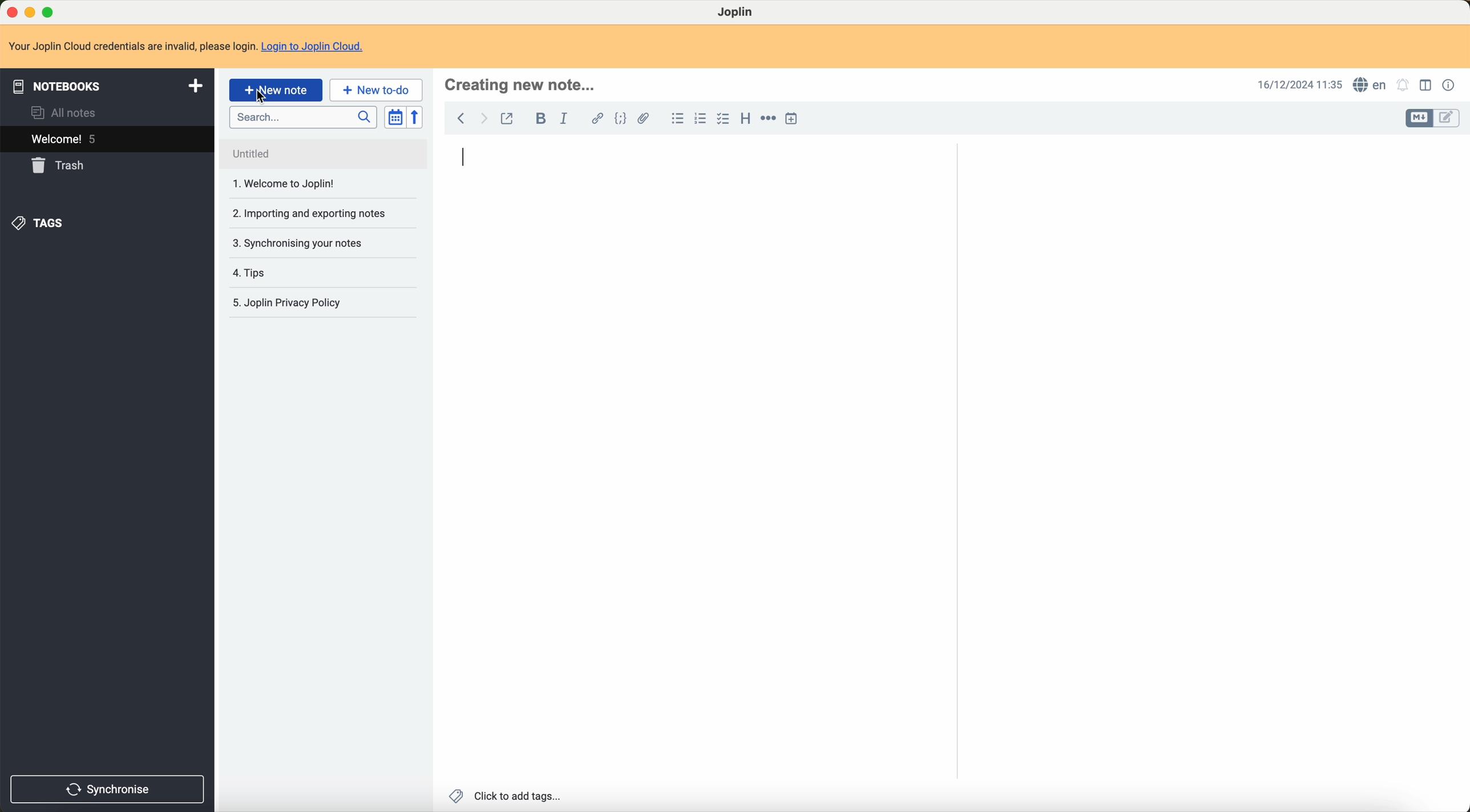  Describe the element at coordinates (50, 10) in the screenshot. I see `maximize` at that location.